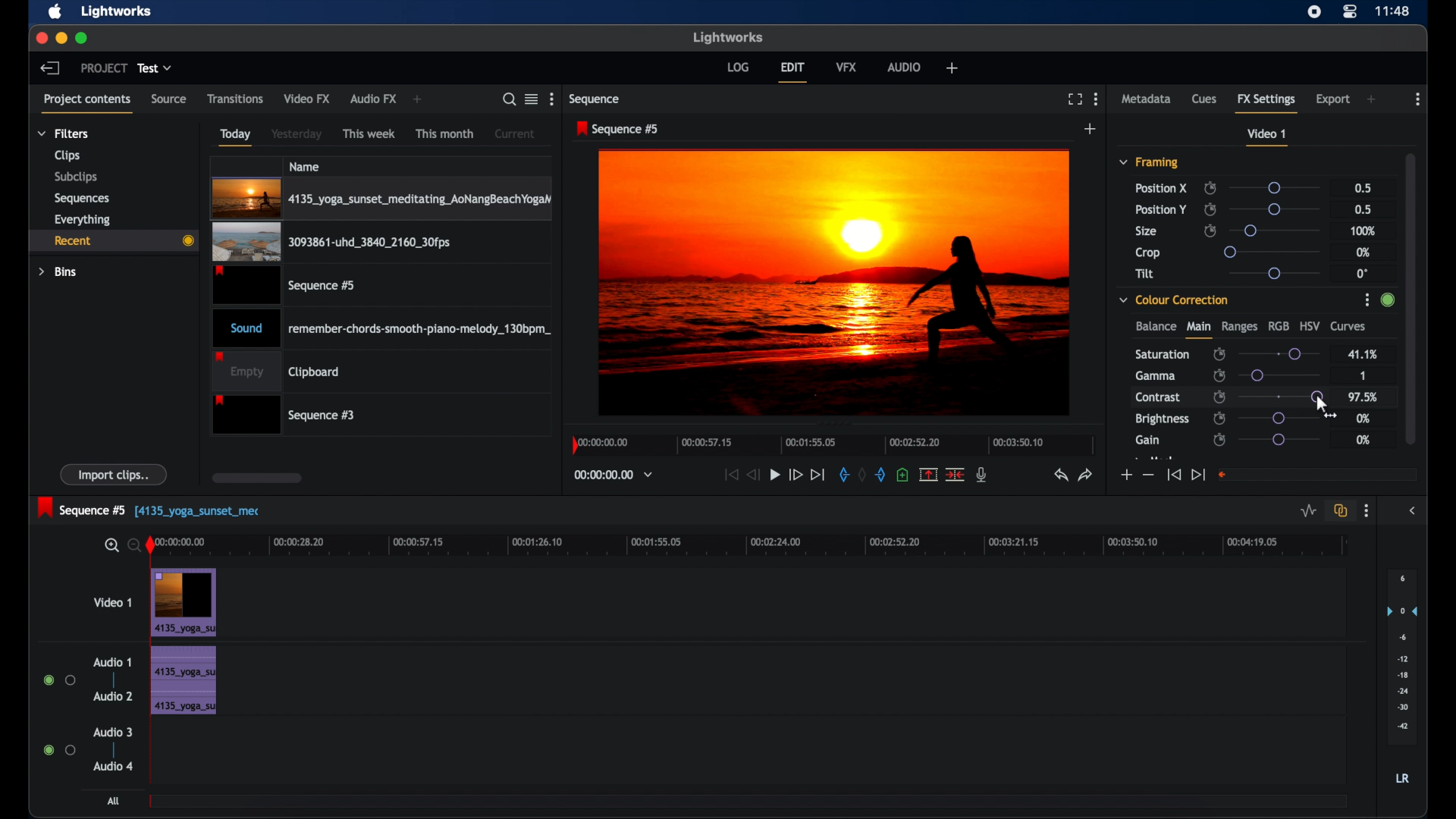 This screenshot has height=819, width=1456. I want to click on jump to end, so click(1198, 474).